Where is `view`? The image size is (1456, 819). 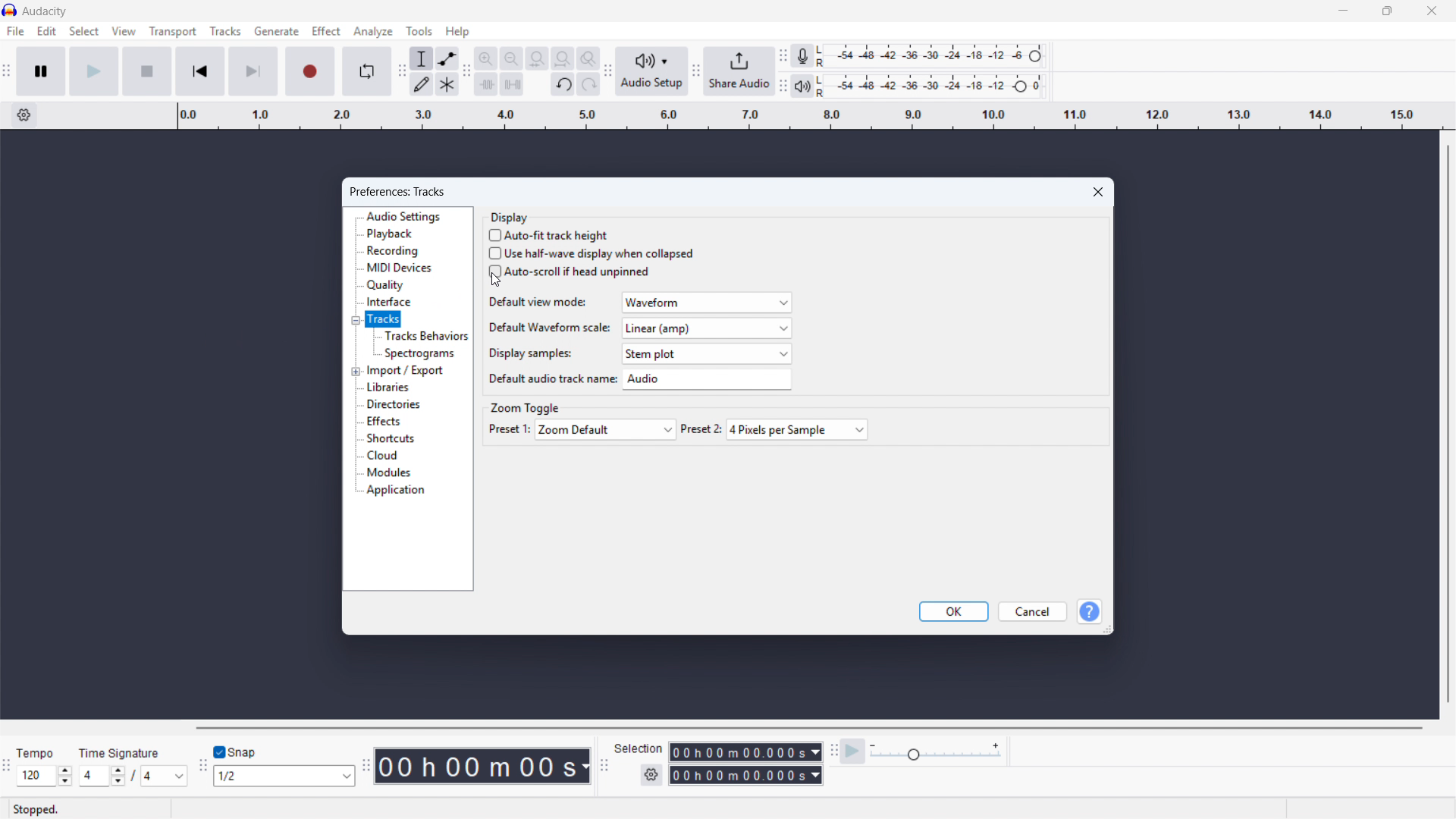 view is located at coordinates (124, 31).